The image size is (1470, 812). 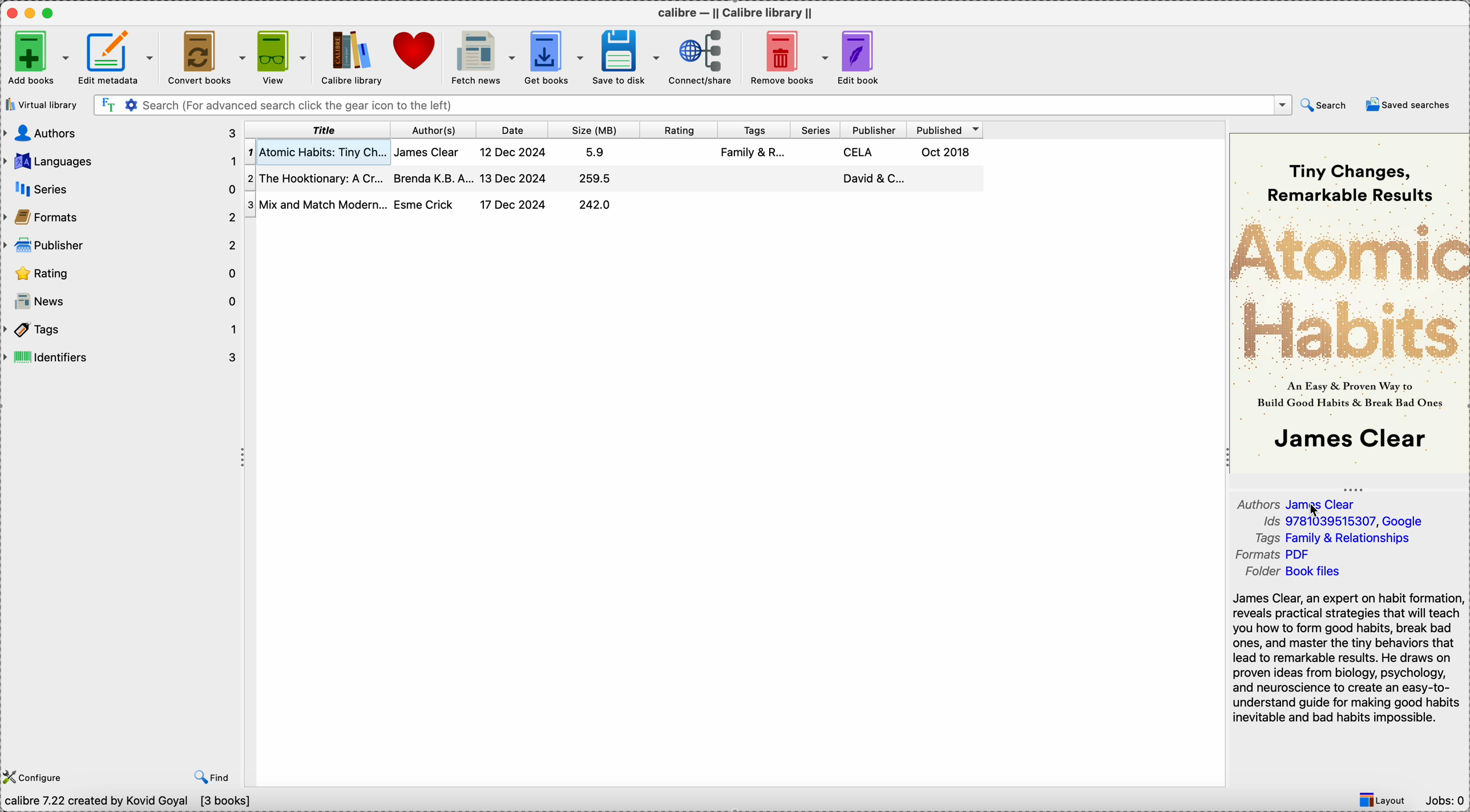 What do you see at coordinates (352, 58) in the screenshot?
I see `Calibre library` at bounding box center [352, 58].